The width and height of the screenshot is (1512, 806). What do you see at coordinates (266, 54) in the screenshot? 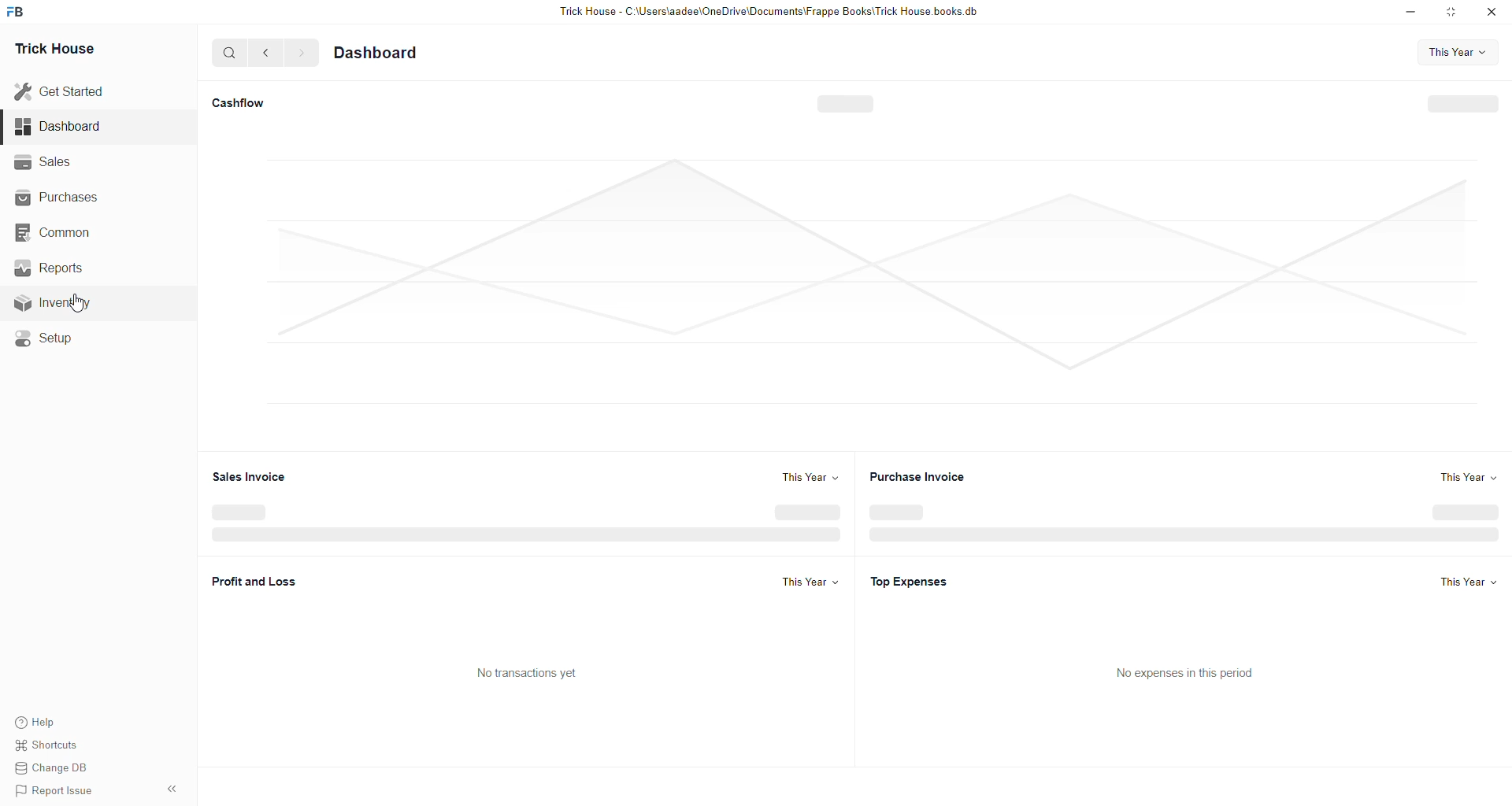
I see `Back` at bounding box center [266, 54].